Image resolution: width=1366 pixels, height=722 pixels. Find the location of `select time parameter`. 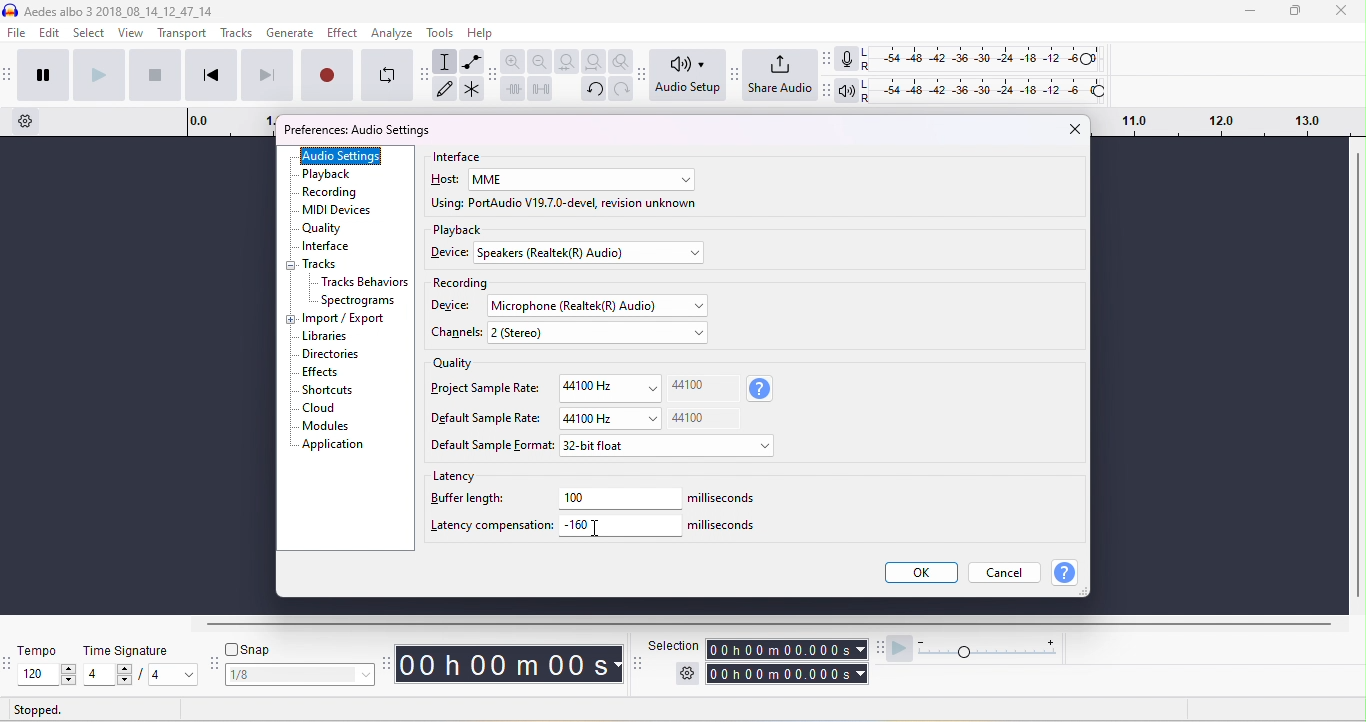

select time parameter is located at coordinates (861, 674).